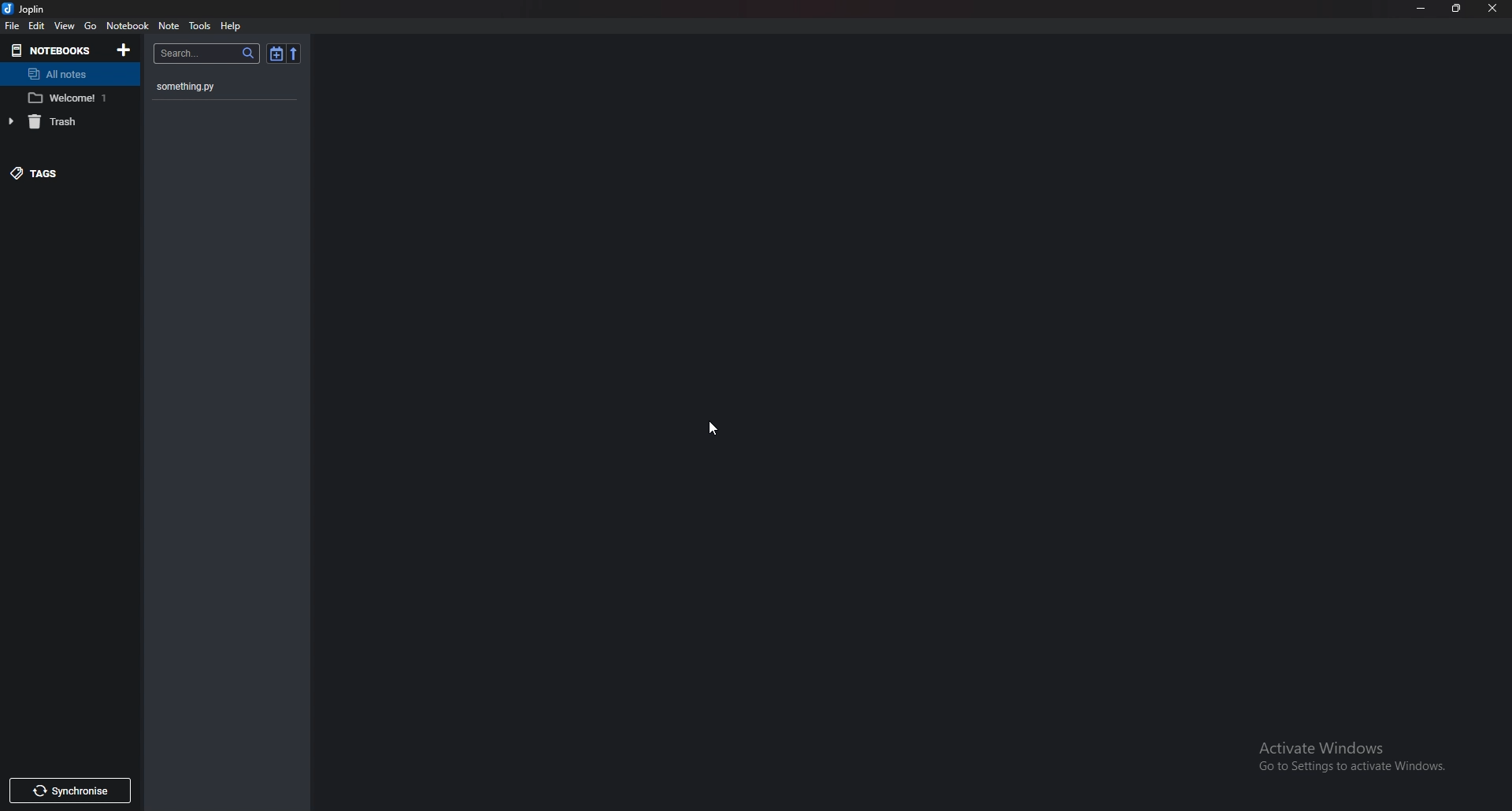 This screenshot has width=1512, height=811. I want to click on welcome 1, so click(71, 98).